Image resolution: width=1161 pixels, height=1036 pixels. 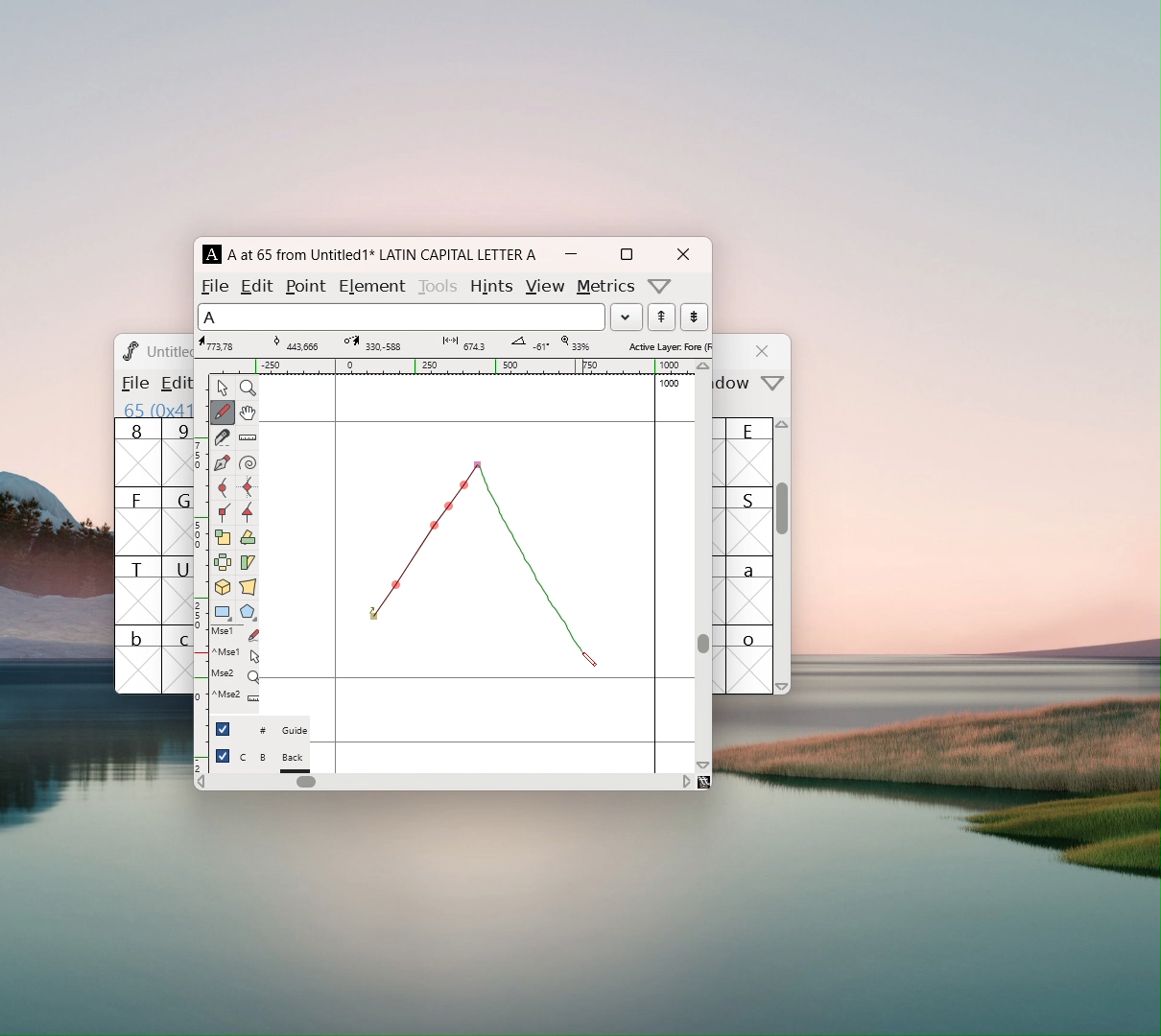 What do you see at coordinates (704, 366) in the screenshot?
I see `scroll up` at bounding box center [704, 366].